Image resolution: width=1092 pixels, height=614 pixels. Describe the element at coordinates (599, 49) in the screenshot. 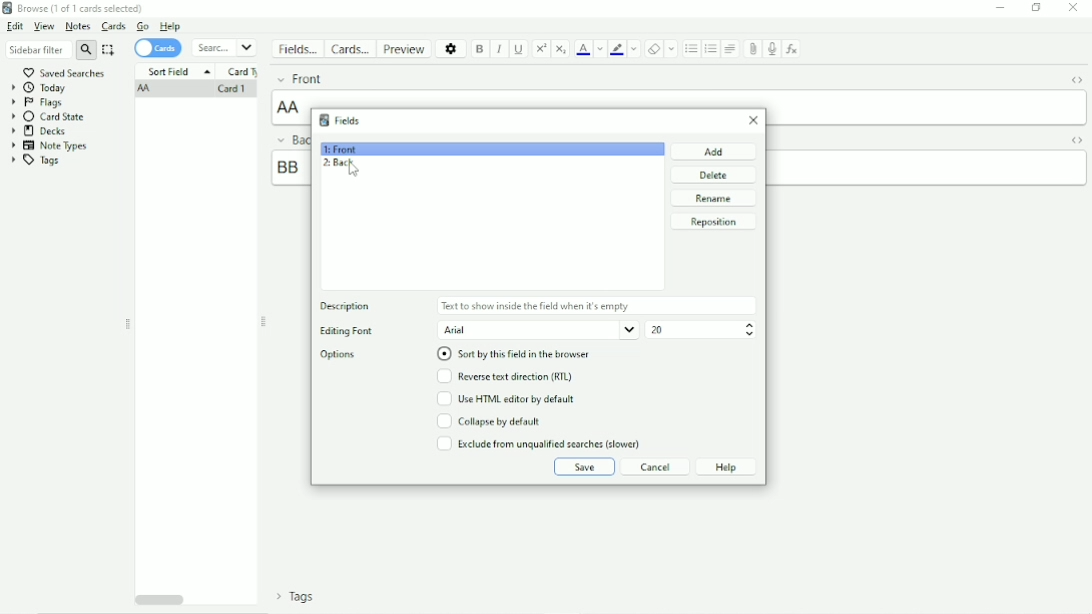

I see `Change color` at that location.